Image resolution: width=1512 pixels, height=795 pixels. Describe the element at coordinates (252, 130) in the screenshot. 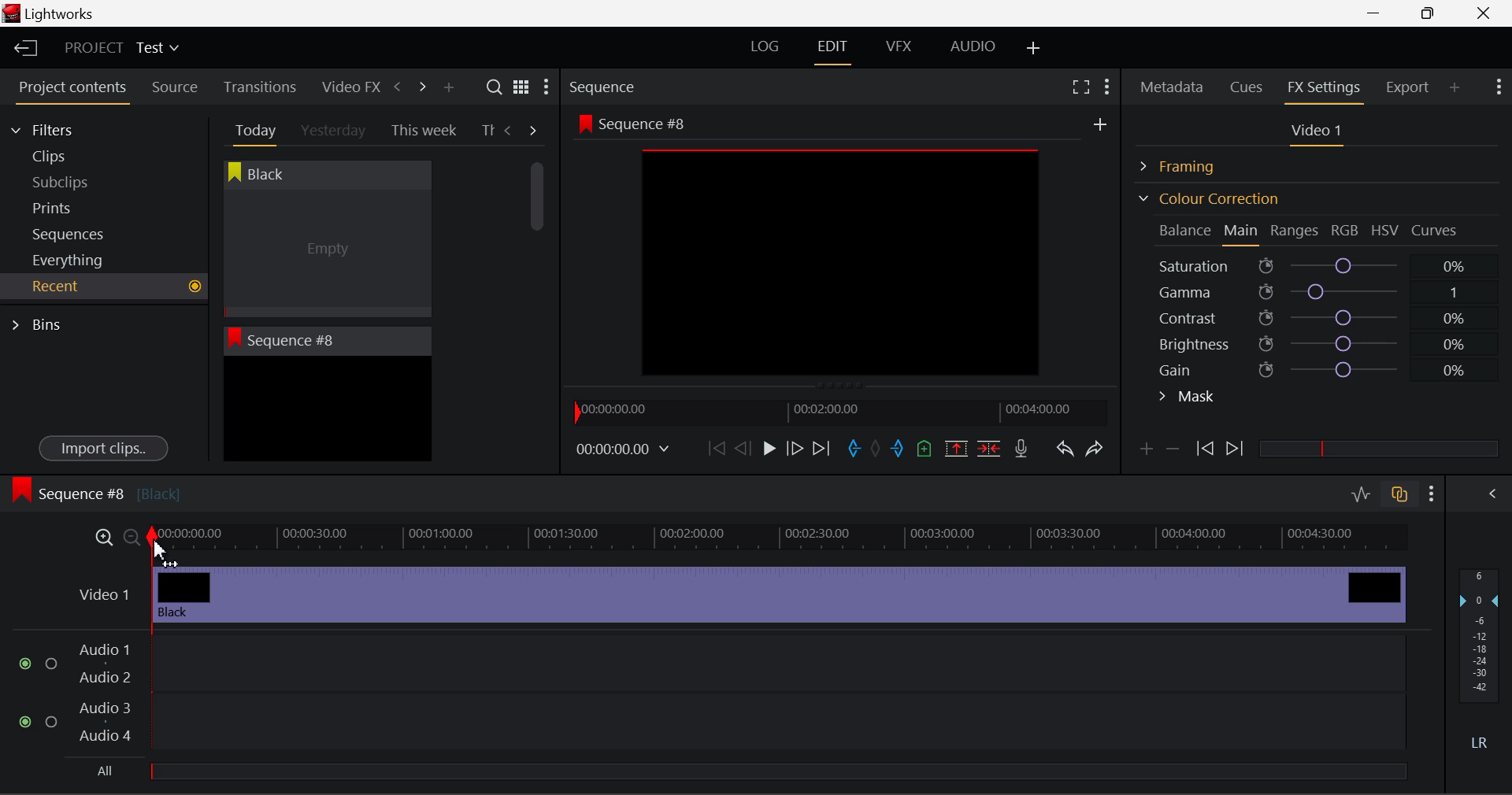

I see `Today Tab Open` at that location.